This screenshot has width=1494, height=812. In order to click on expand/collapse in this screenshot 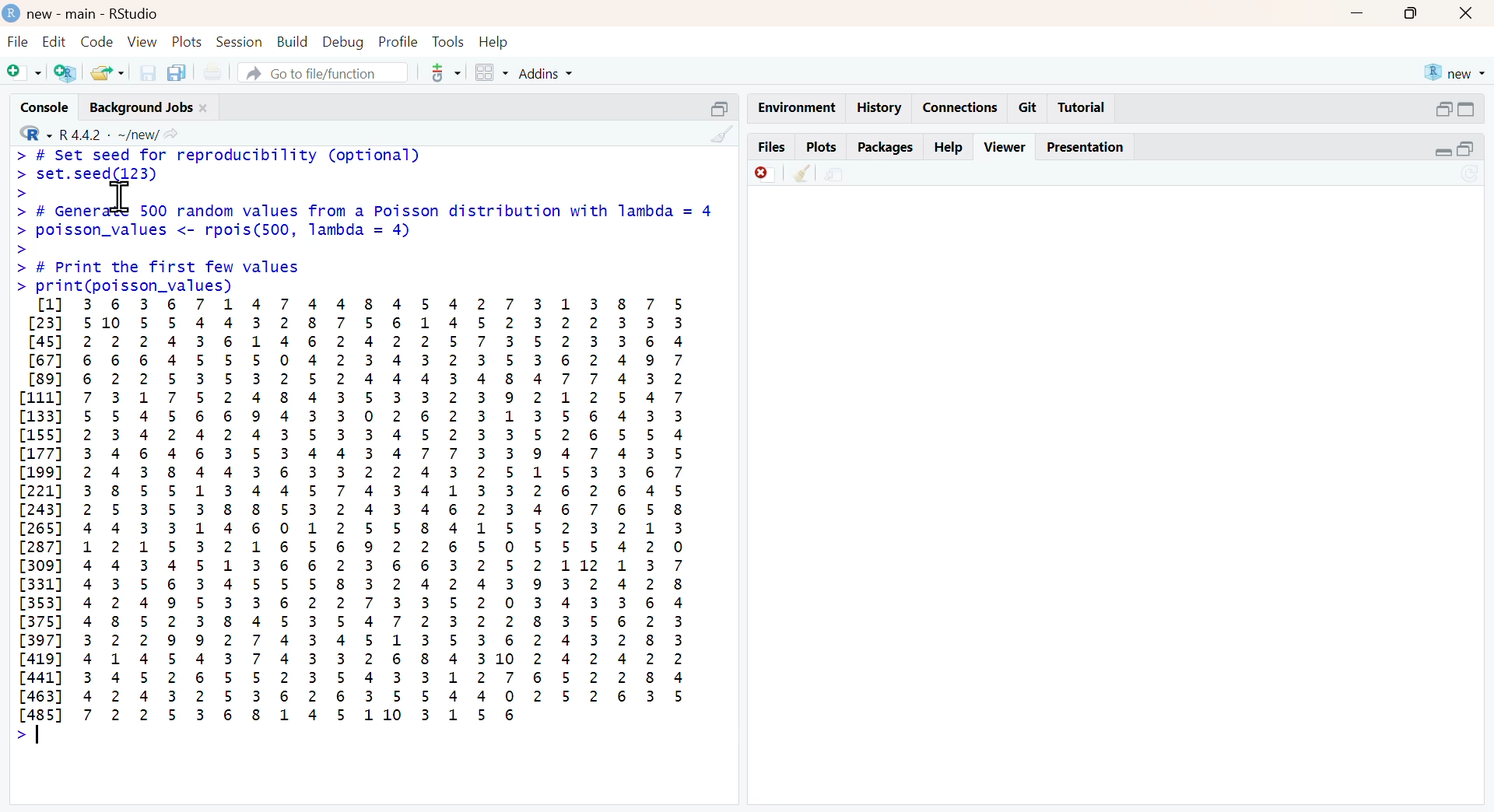, I will do `click(1443, 152)`.